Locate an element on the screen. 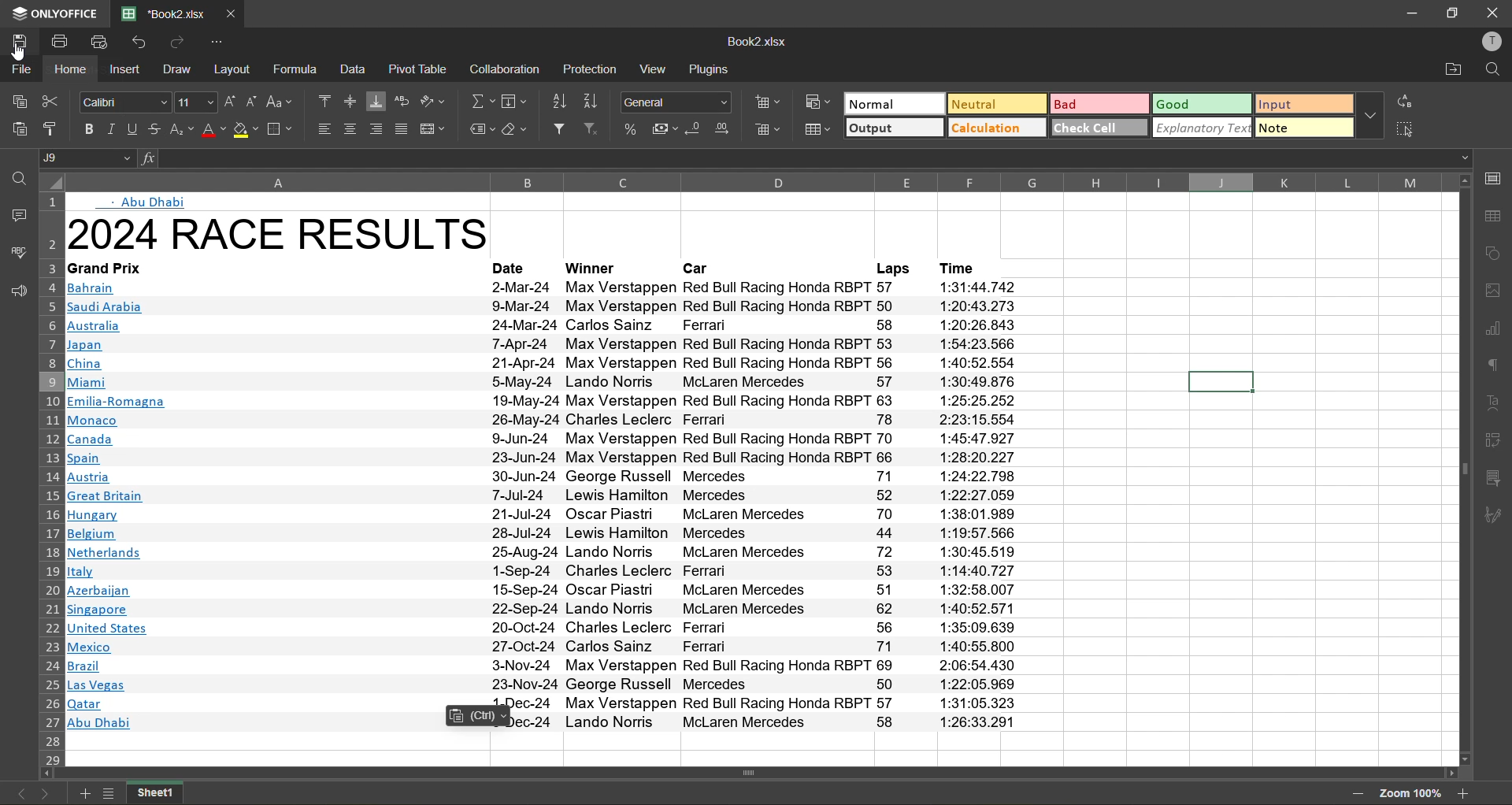 The height and width of the screenshot is (805, 1512). call settings is located at coordinates (1495, 180).